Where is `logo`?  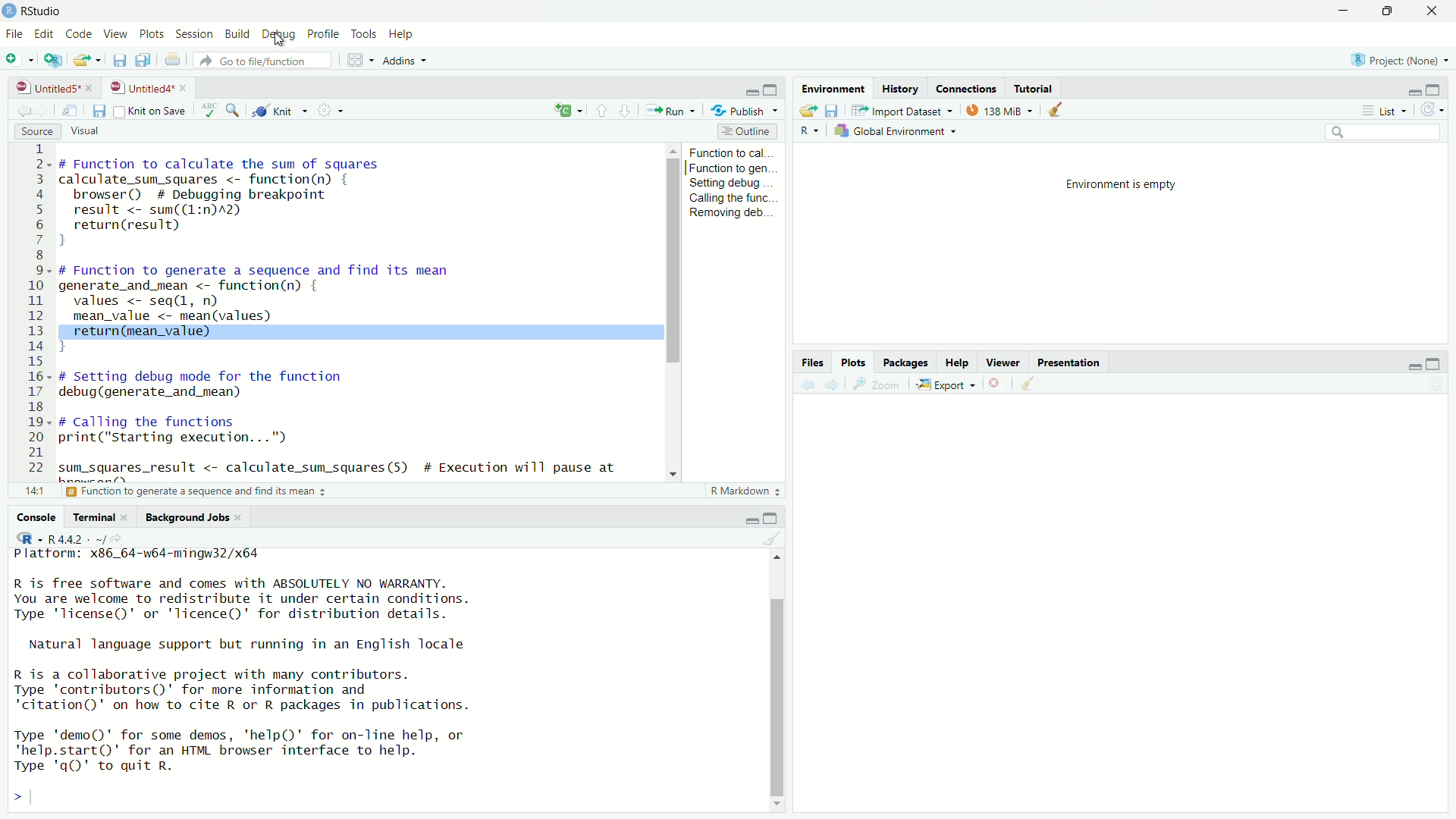 logo is located at coordinates (10, 11).